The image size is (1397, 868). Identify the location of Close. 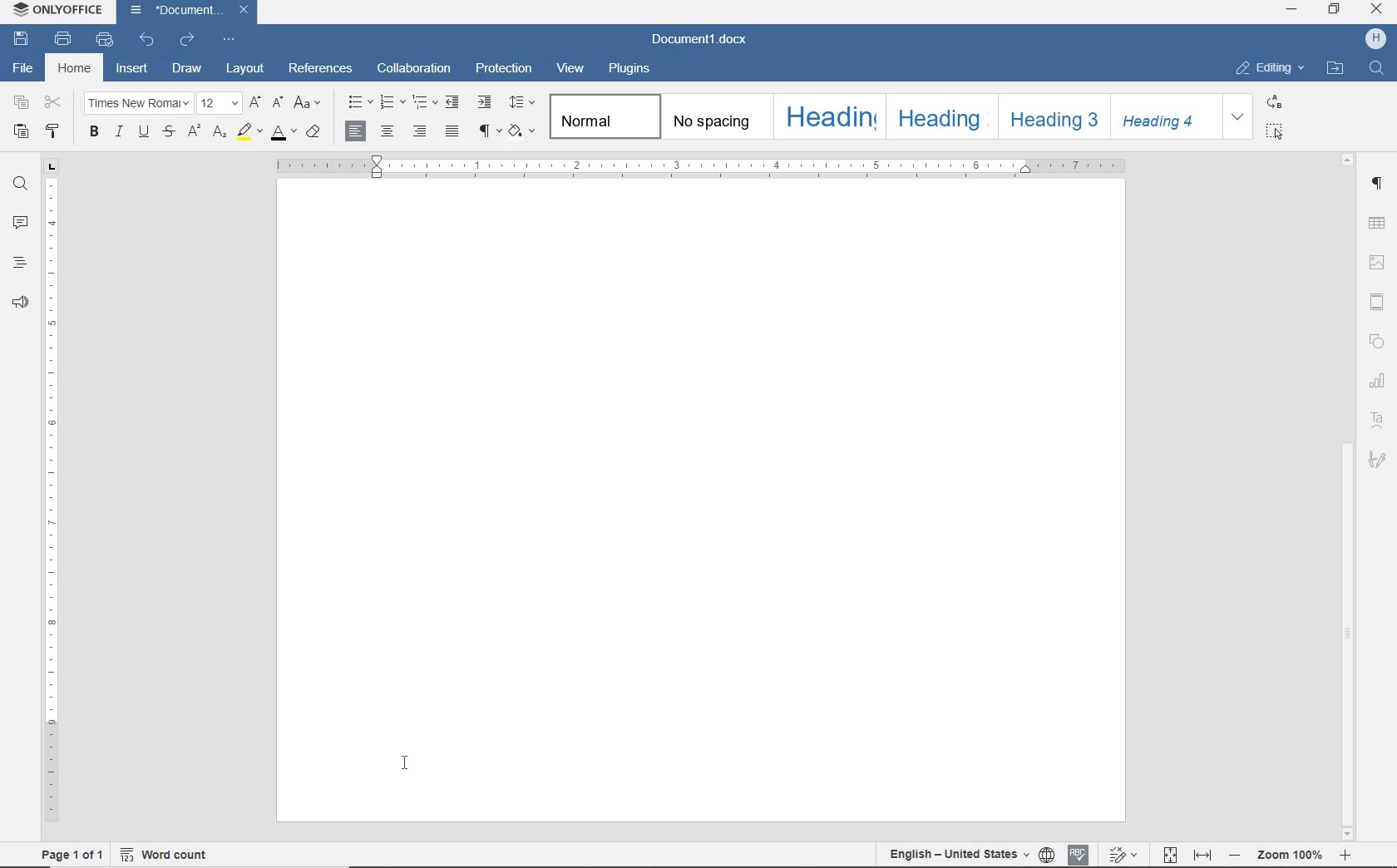
(243, 10).